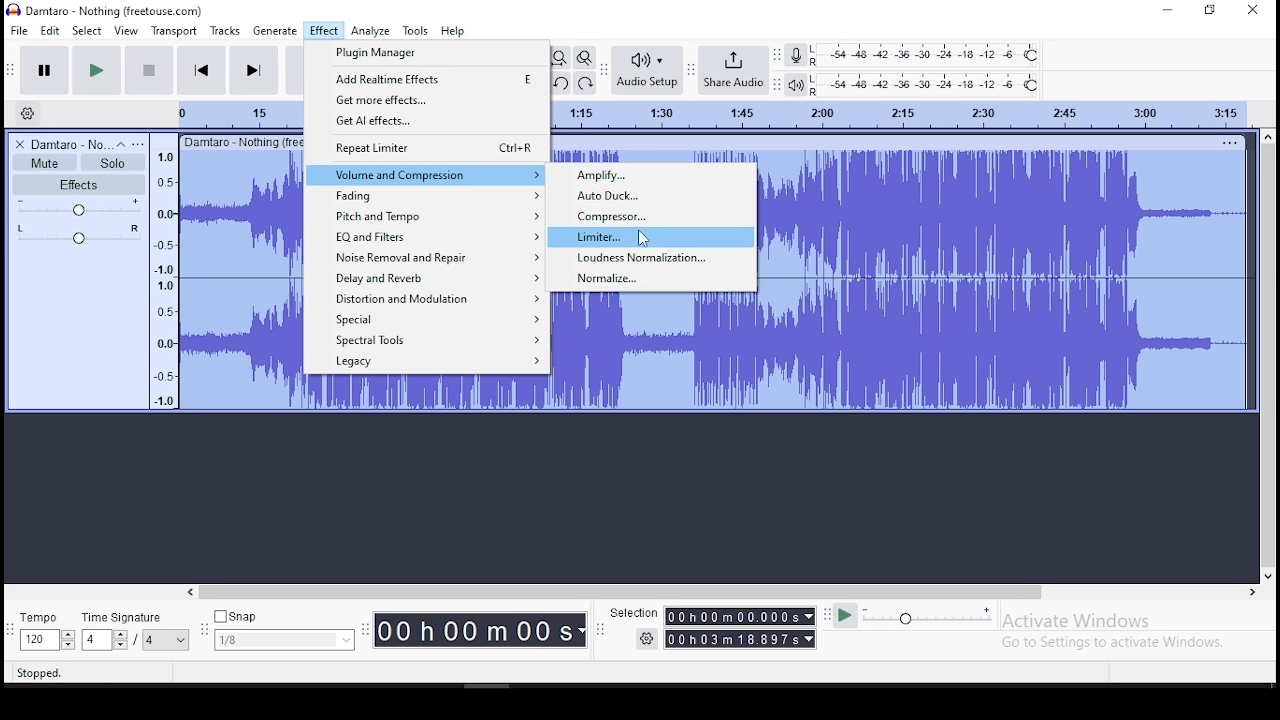 This screenshot has height=720, width=1280. Describe the element at coordinates (740, 616) in the screenshot. I see `00 h 00 m 00.000 s` at that location.